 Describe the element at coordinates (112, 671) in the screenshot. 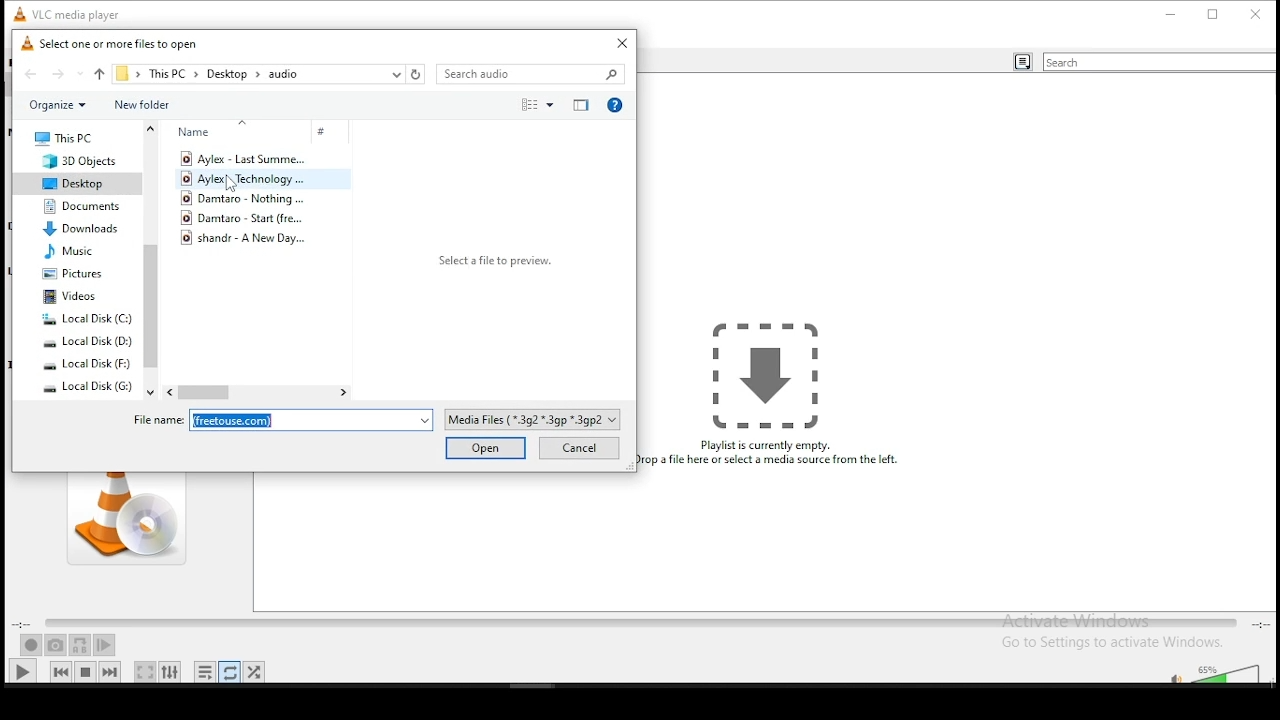

I see `next media in the playlist, skips forward when held` at that location.